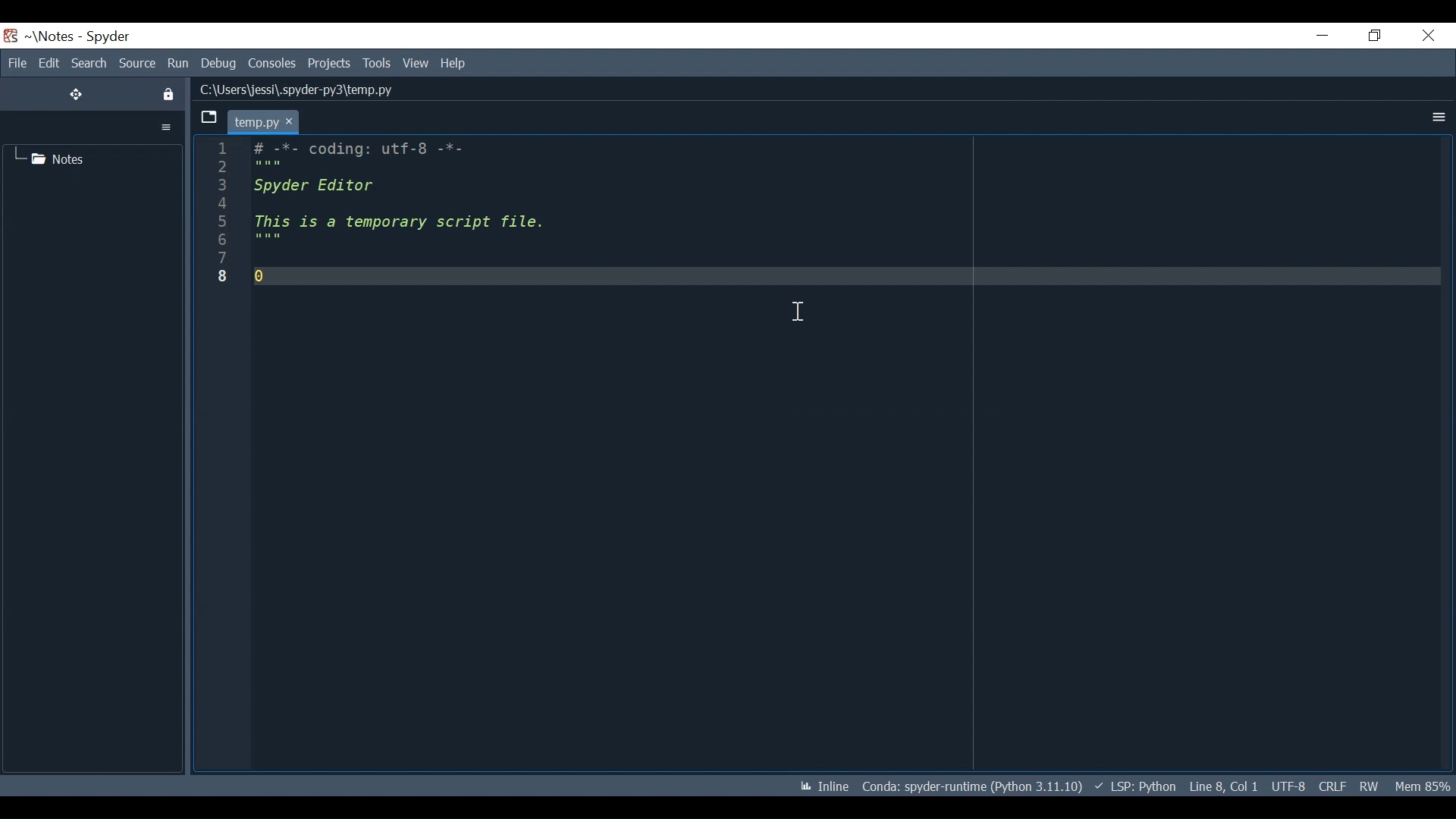 The image size is (1456, 819). I want to click on temp.py, so click(265, 121).